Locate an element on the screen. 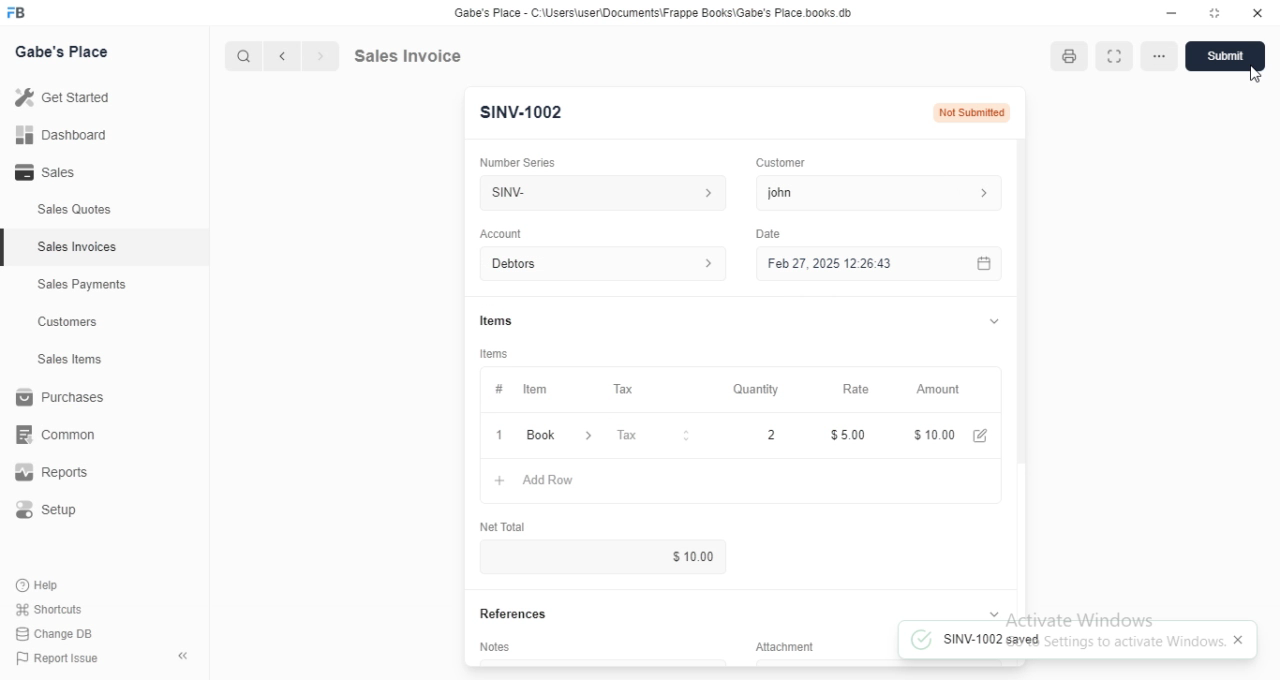 The height and width of the screenshot is (680, 1280). Add row is located at coordinates (533, 480).